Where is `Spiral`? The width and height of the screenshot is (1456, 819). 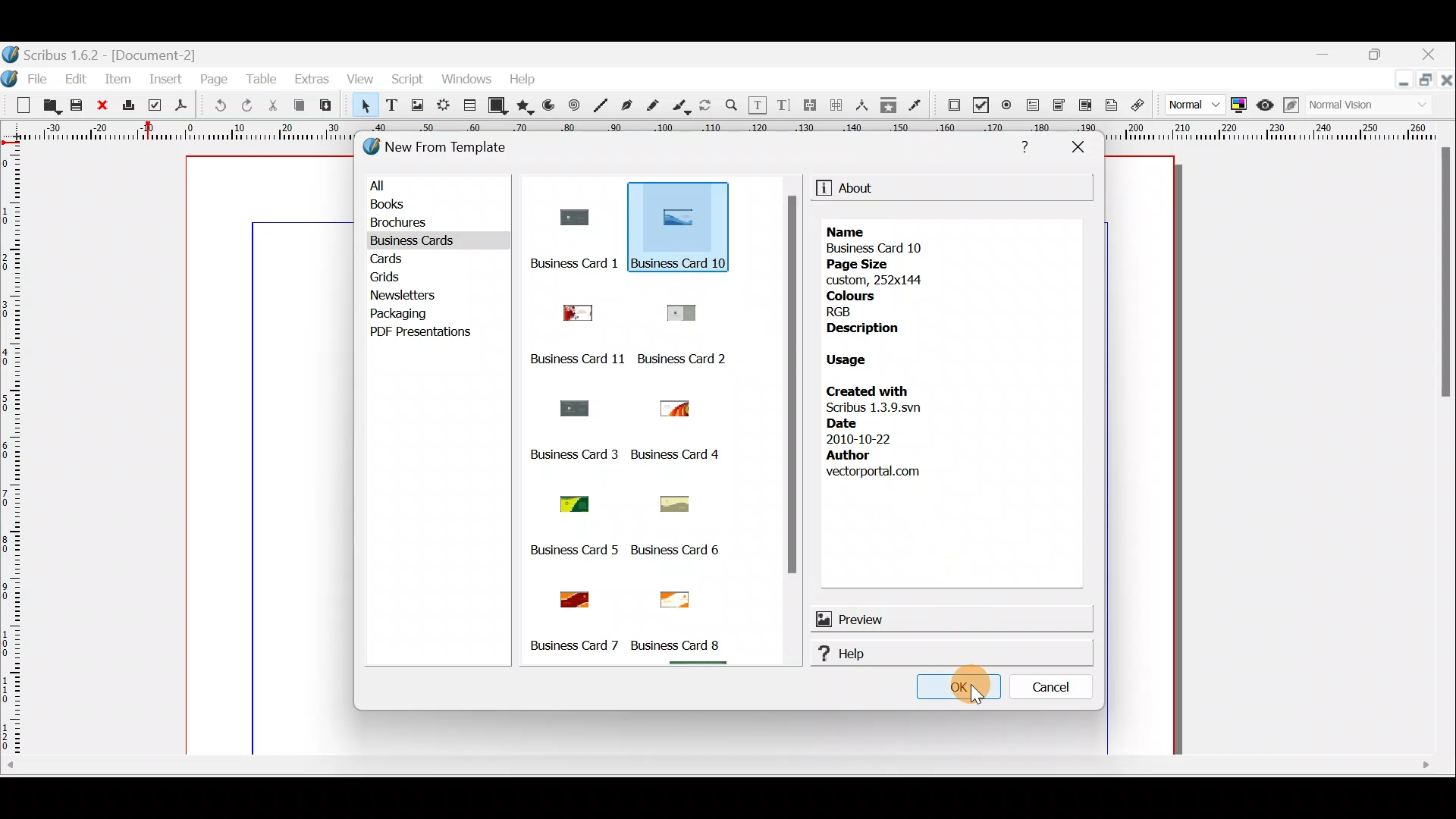
Spiral is located at coordinates (574, 105).